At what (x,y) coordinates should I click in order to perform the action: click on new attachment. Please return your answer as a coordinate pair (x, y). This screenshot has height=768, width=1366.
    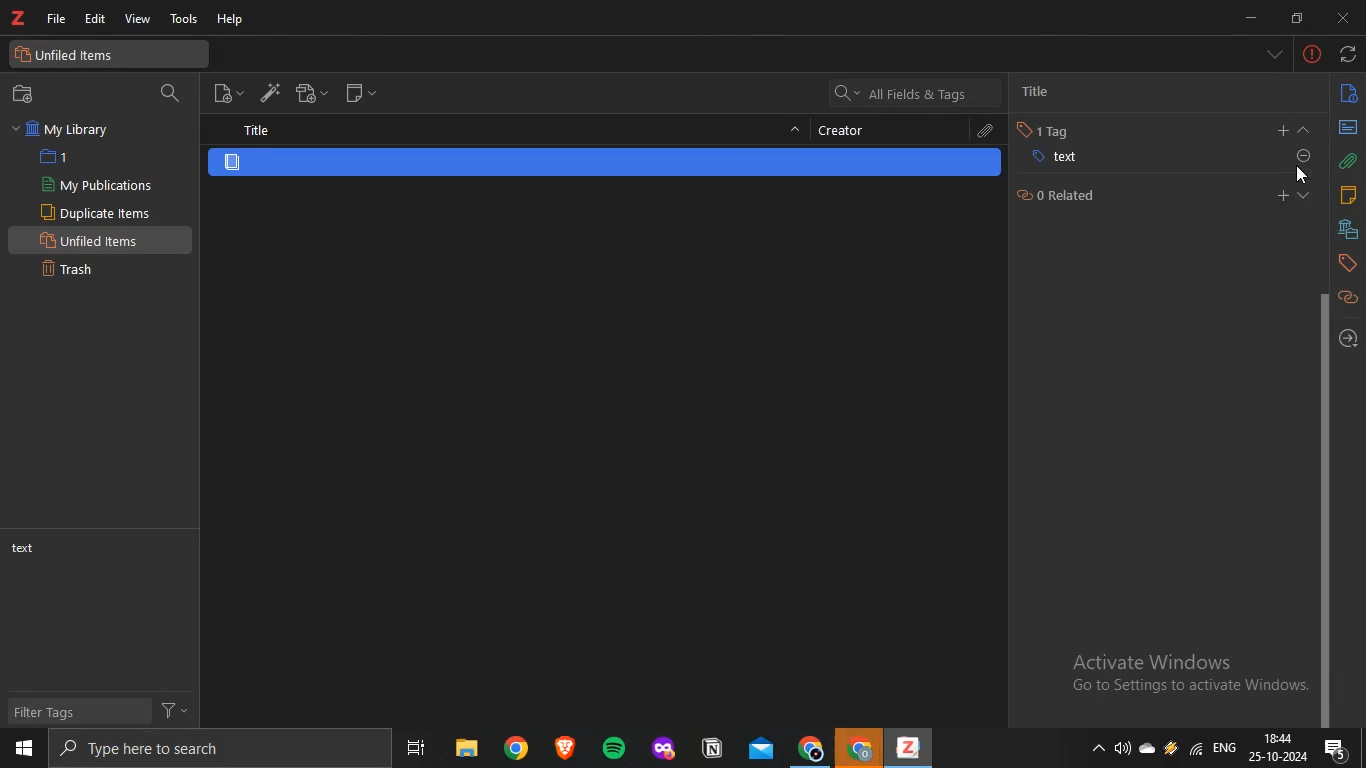
    Looking at the image, I should click on (313, 95).